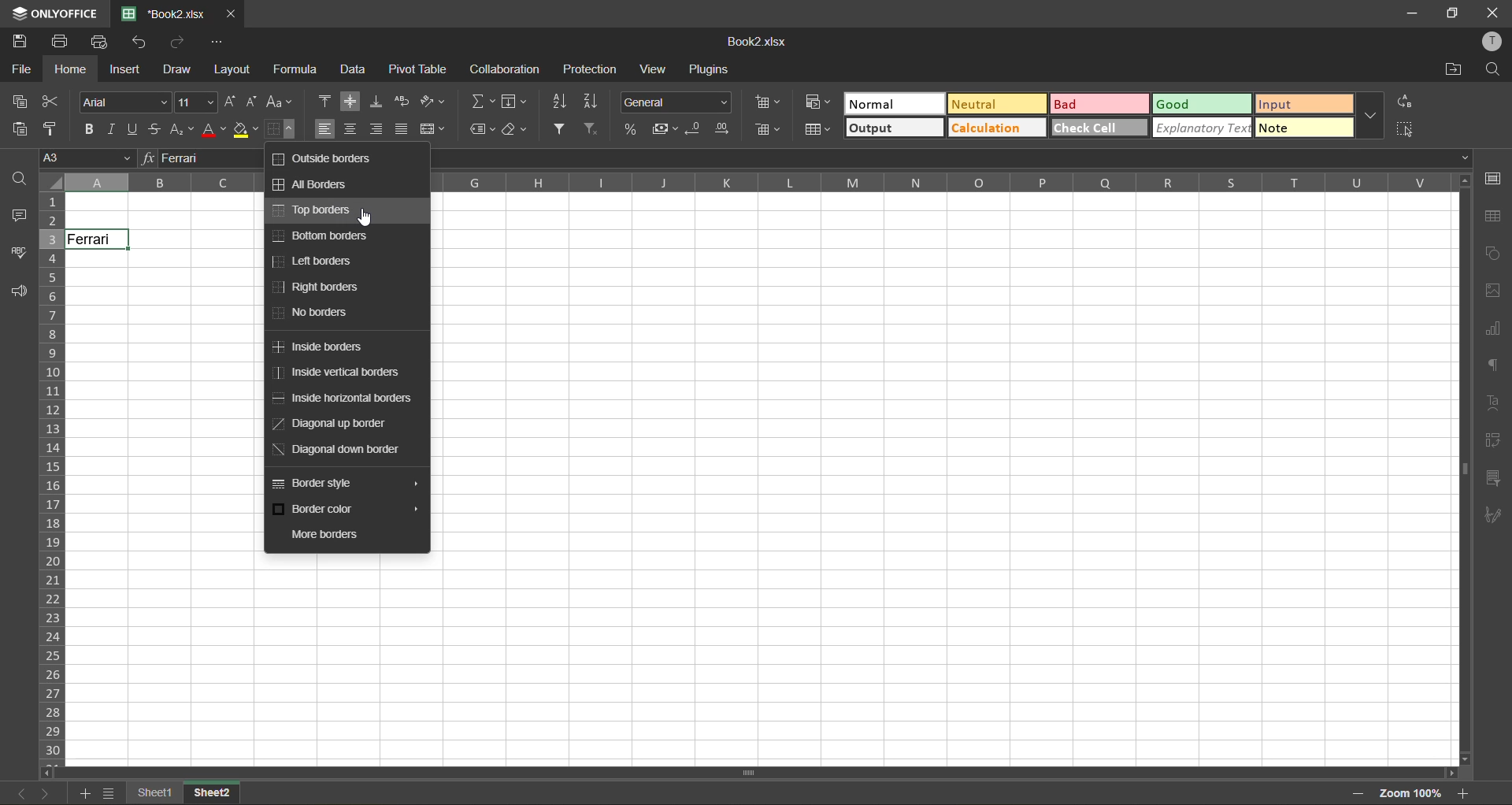 The width and height of the screenshot is (1512, 805). I want to click on fields, so click(517, 102).